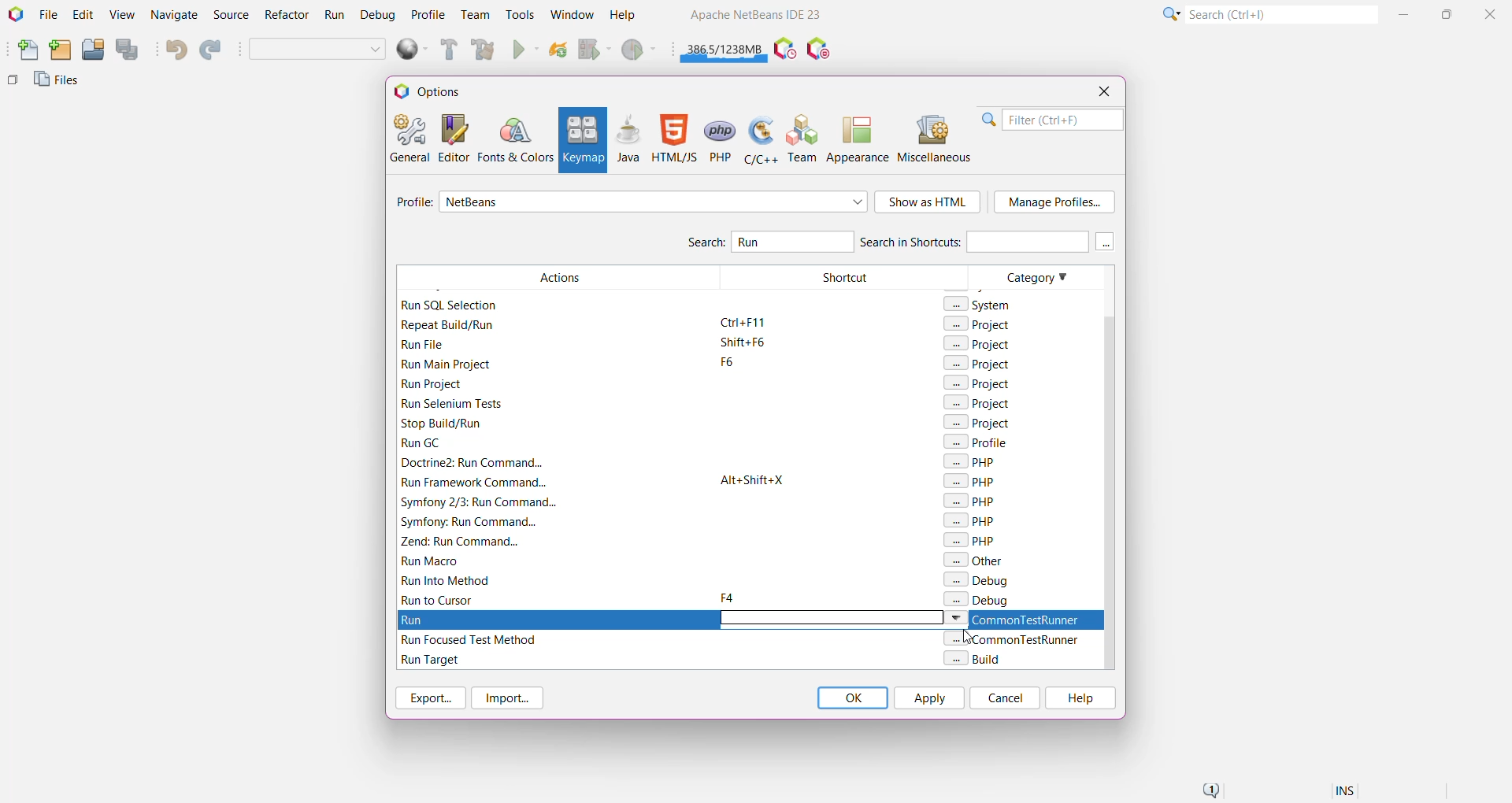 This screenshot has height=803, width=1512. Describe the element at coordinates (852, 698) in the screenshot. I see `OK` at that location.